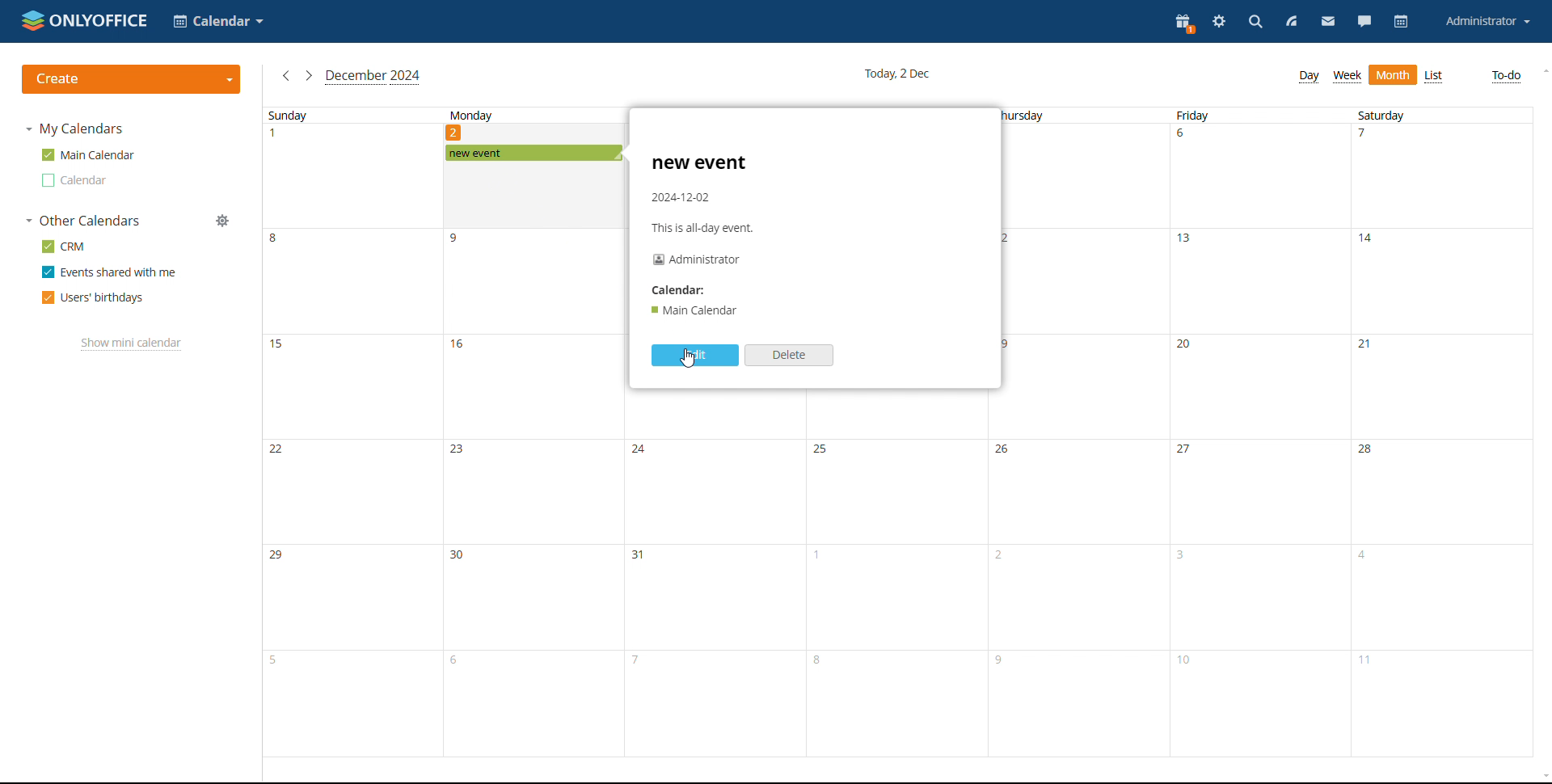 The image size is (1552, 784). I want to click on monday, so click(533, 461).